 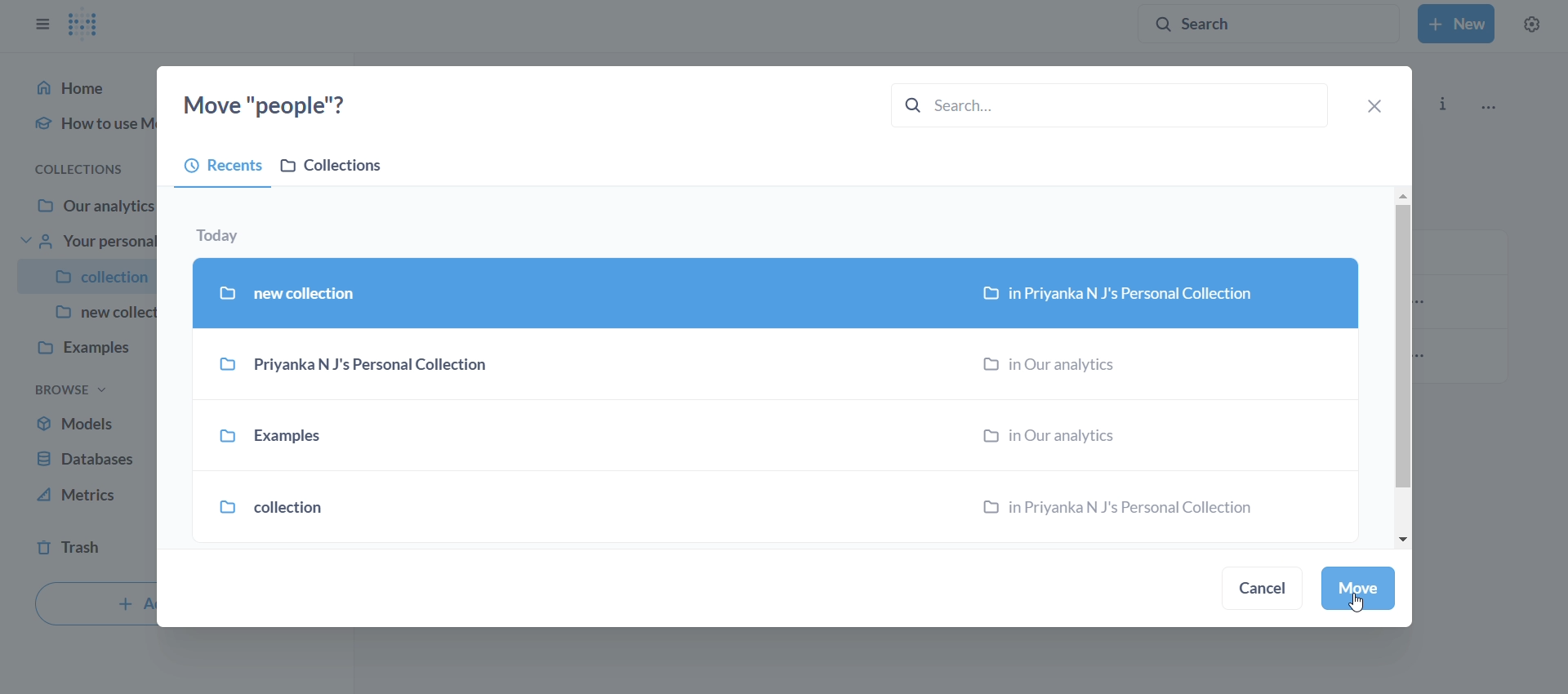 I want to click on close sidebar, so click(x=41, y=24).